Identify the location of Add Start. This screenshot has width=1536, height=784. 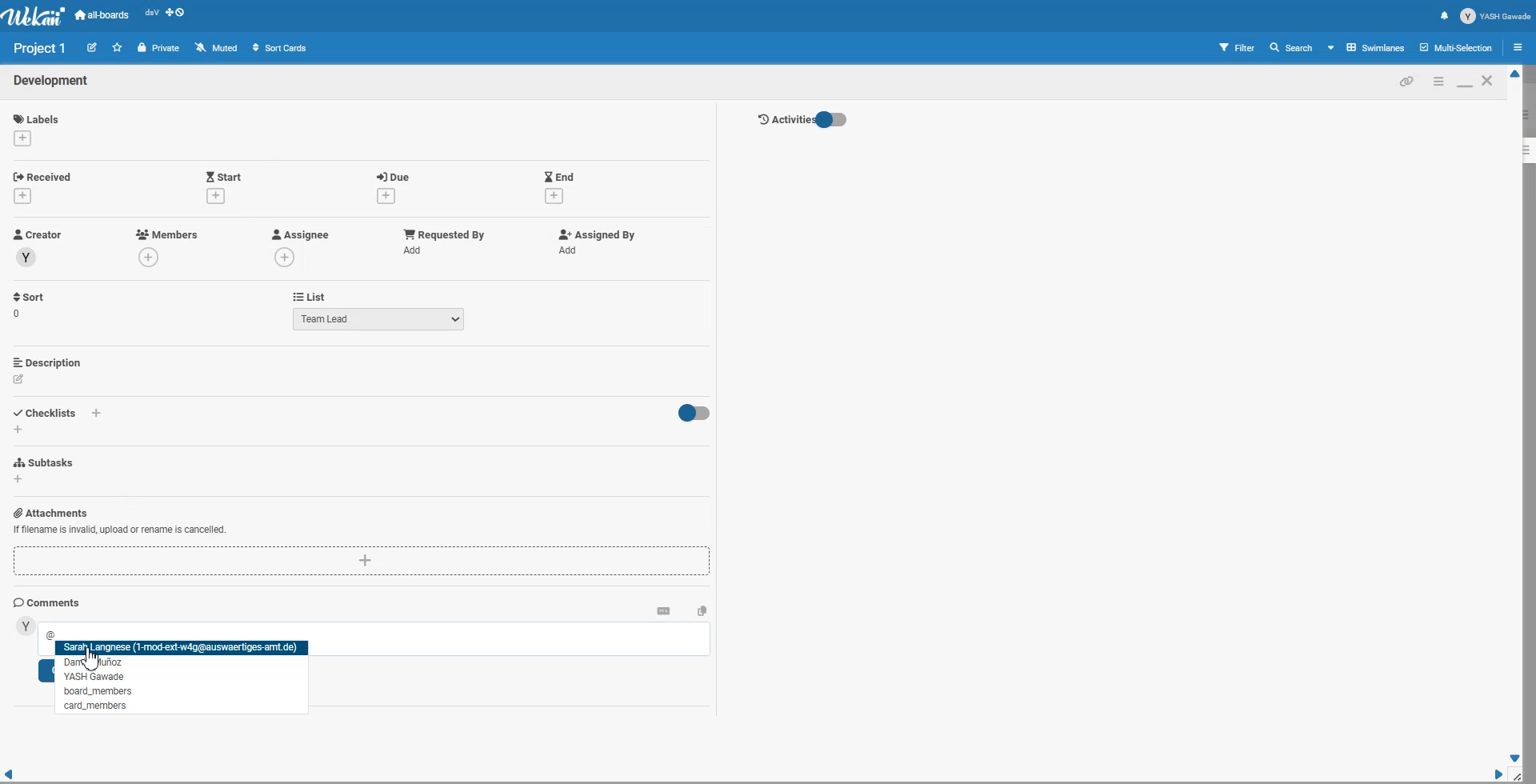
(224, 175).